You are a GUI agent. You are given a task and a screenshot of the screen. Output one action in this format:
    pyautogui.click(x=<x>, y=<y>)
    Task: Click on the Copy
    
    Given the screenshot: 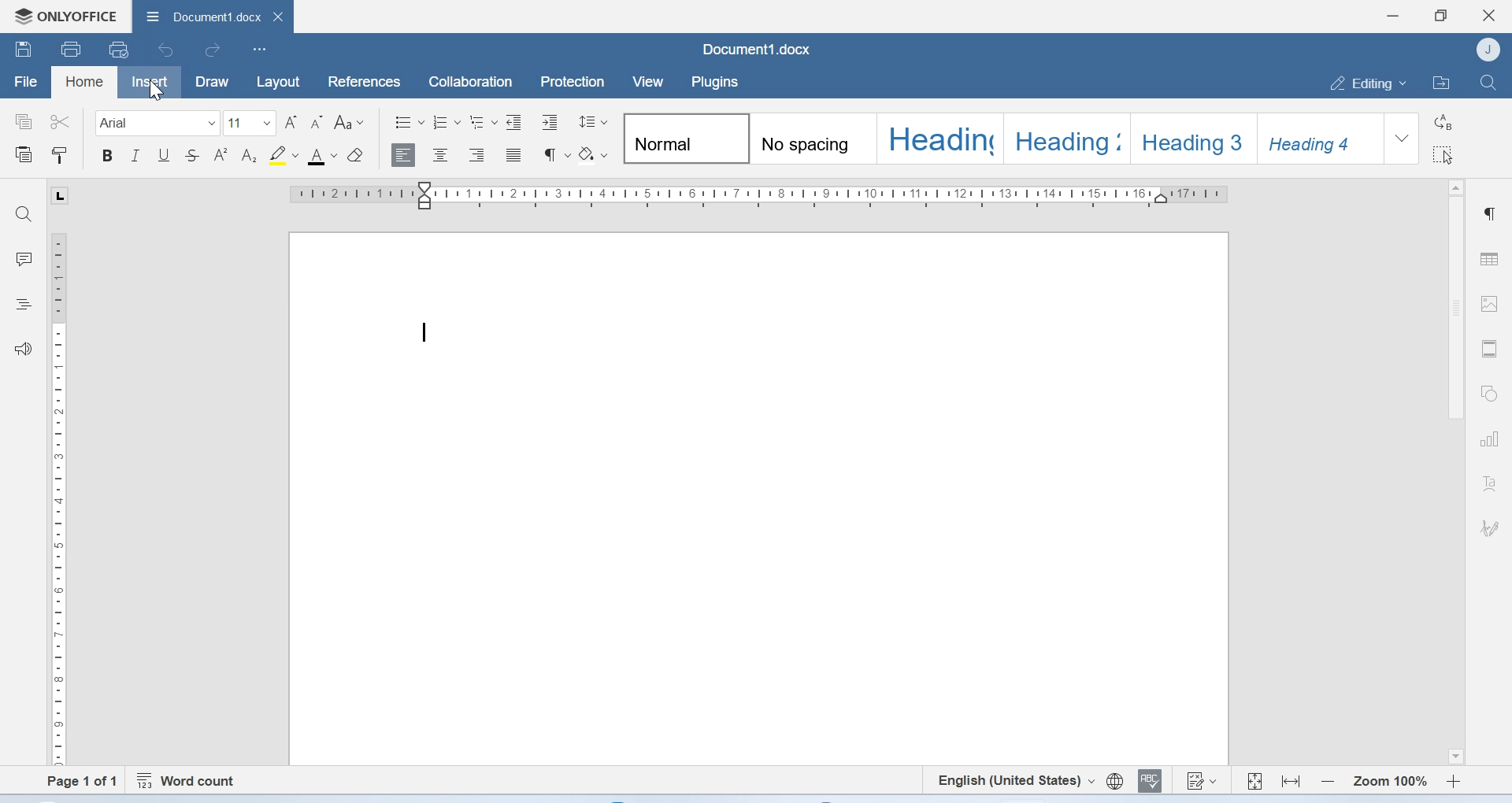 What is the action you would take?
    pyautogui.click(x=25, y=120)
    